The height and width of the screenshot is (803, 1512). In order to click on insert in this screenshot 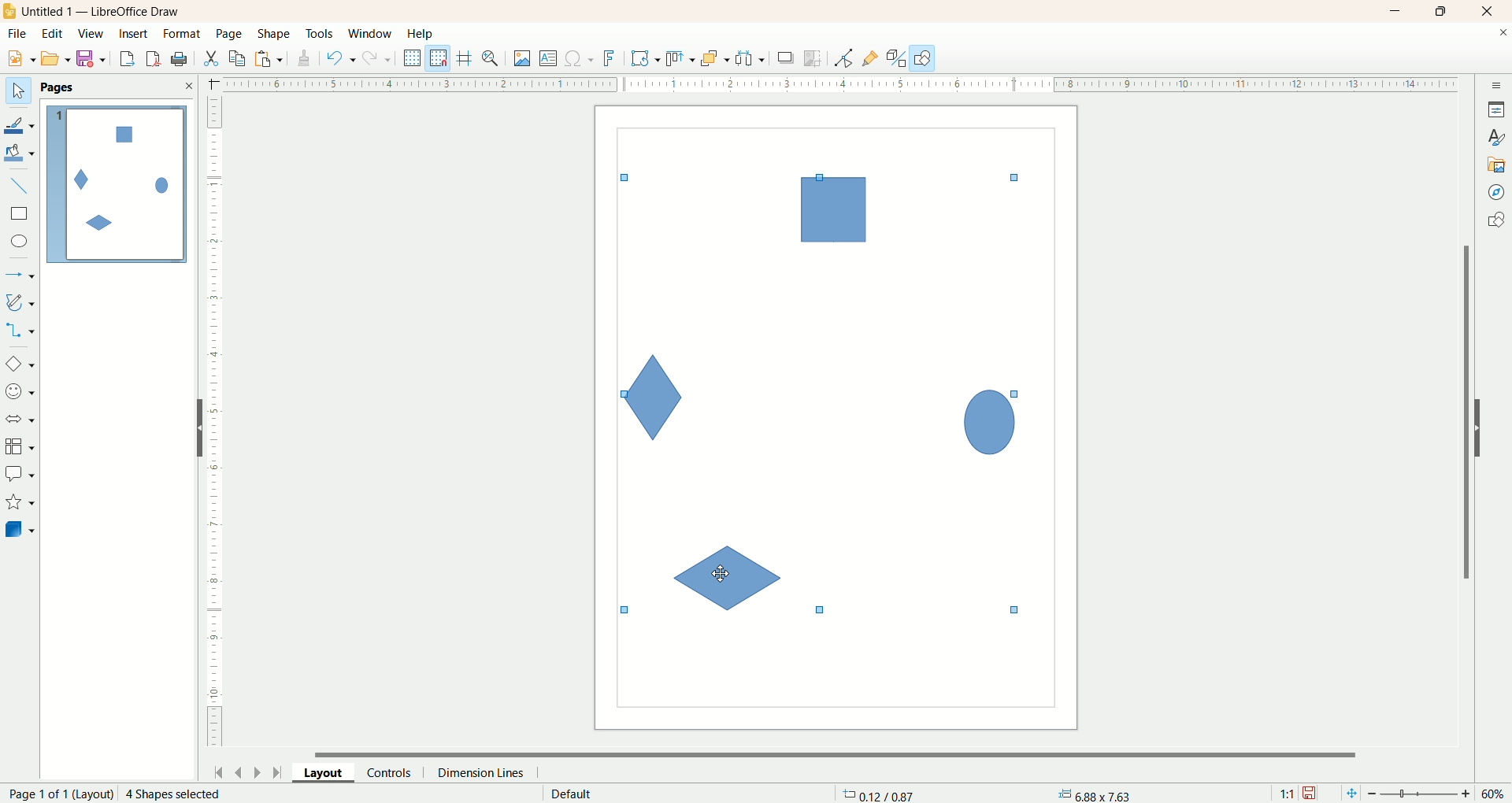, I will do `click(135, 34)`.